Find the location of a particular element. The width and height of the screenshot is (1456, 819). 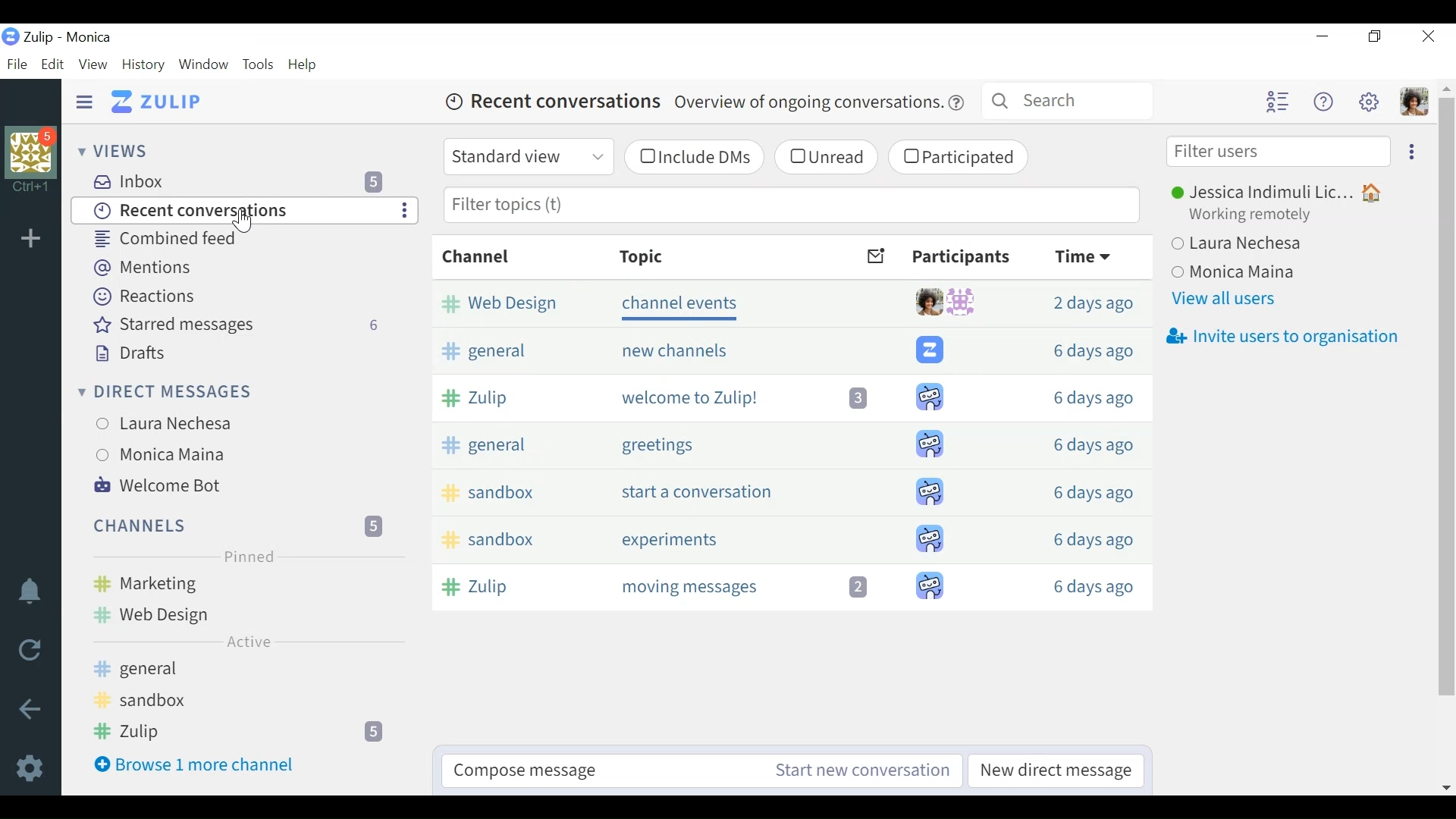

Help menu is located at coordinates (1323, 102).